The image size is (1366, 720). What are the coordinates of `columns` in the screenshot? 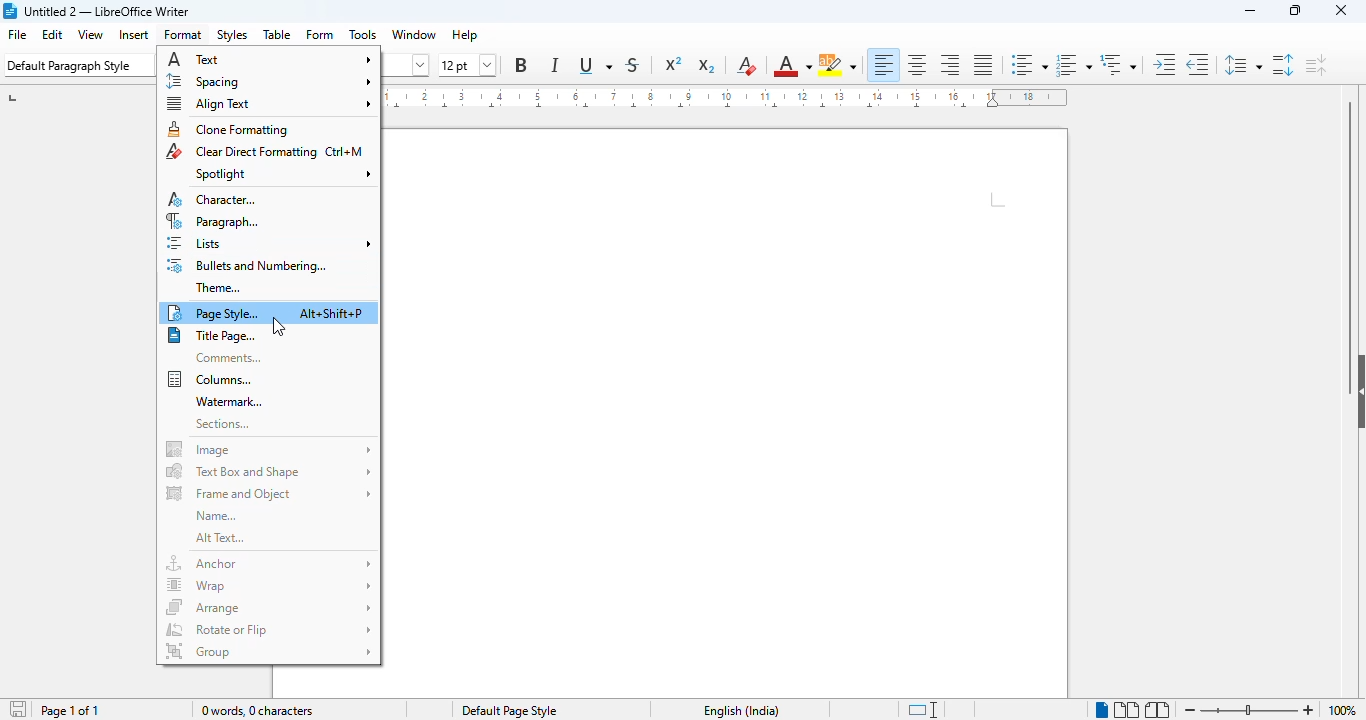 It's located at (208, 380).